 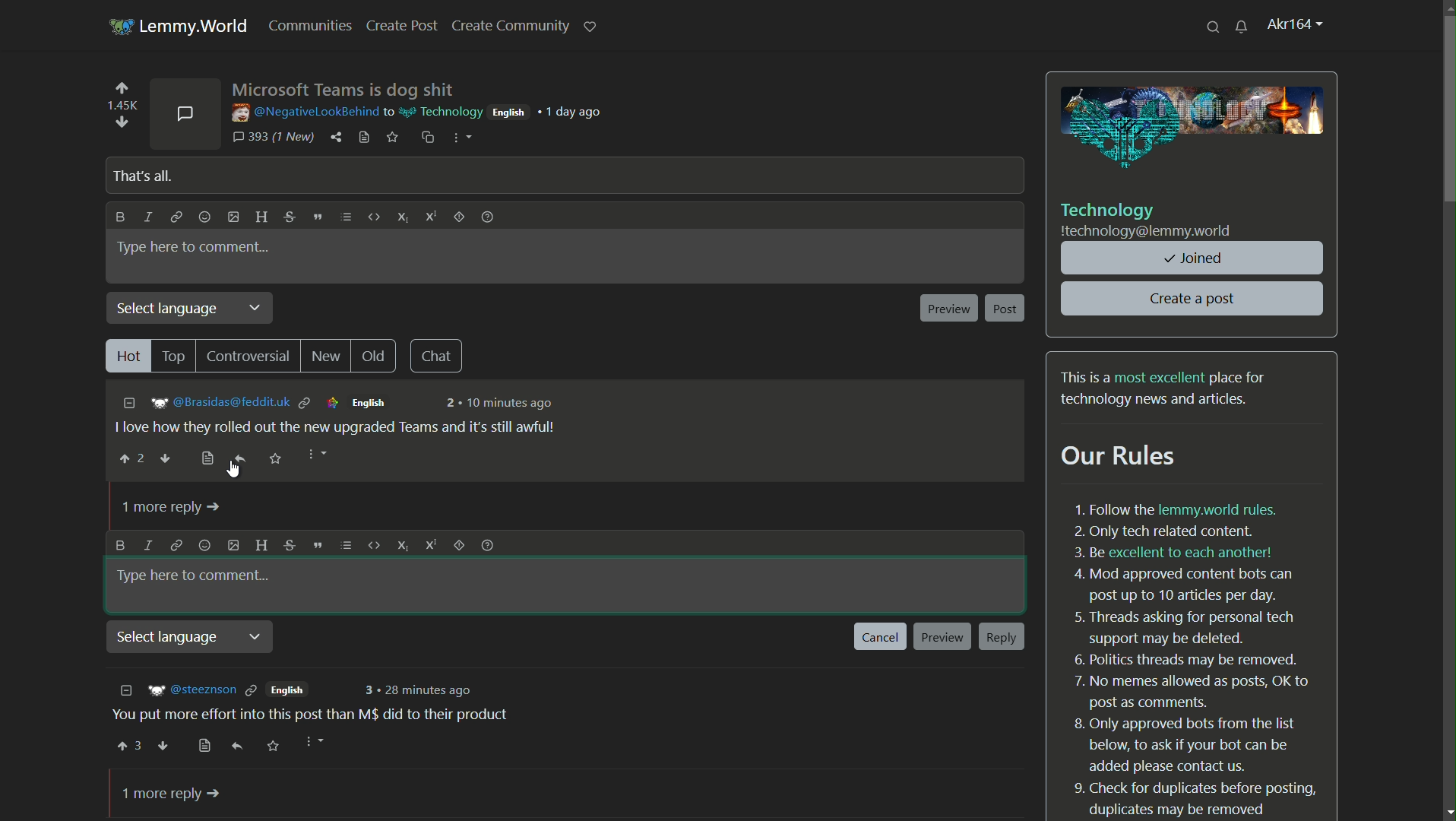 What do you see at coordinates (439, 356) in the screenshot?
I see `chat` at bounding box center [439, 356].